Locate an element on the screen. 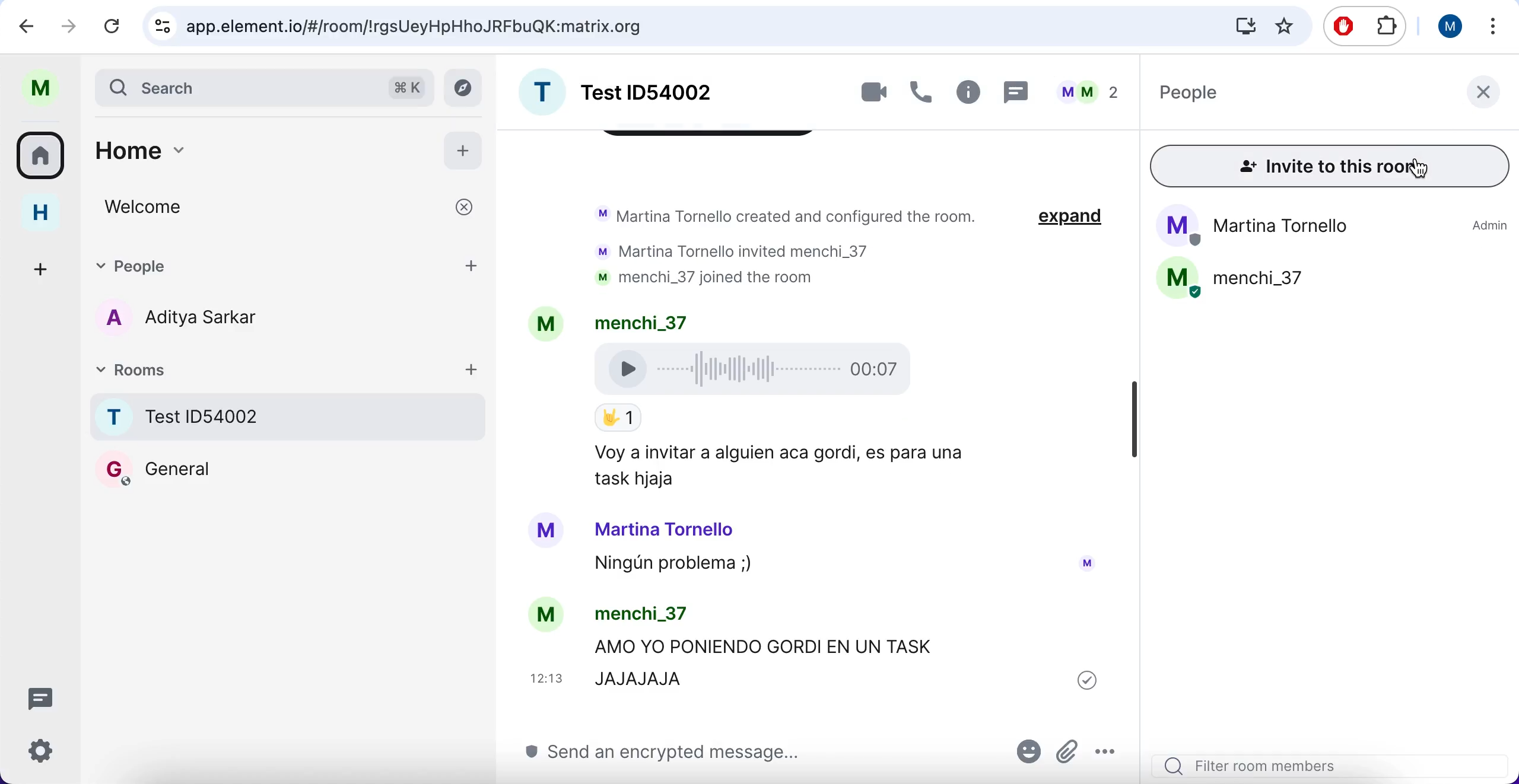 Image resolution: width=1519 pixels, height=784 pixels. invite to this room is located at coordinates (1331, 169).